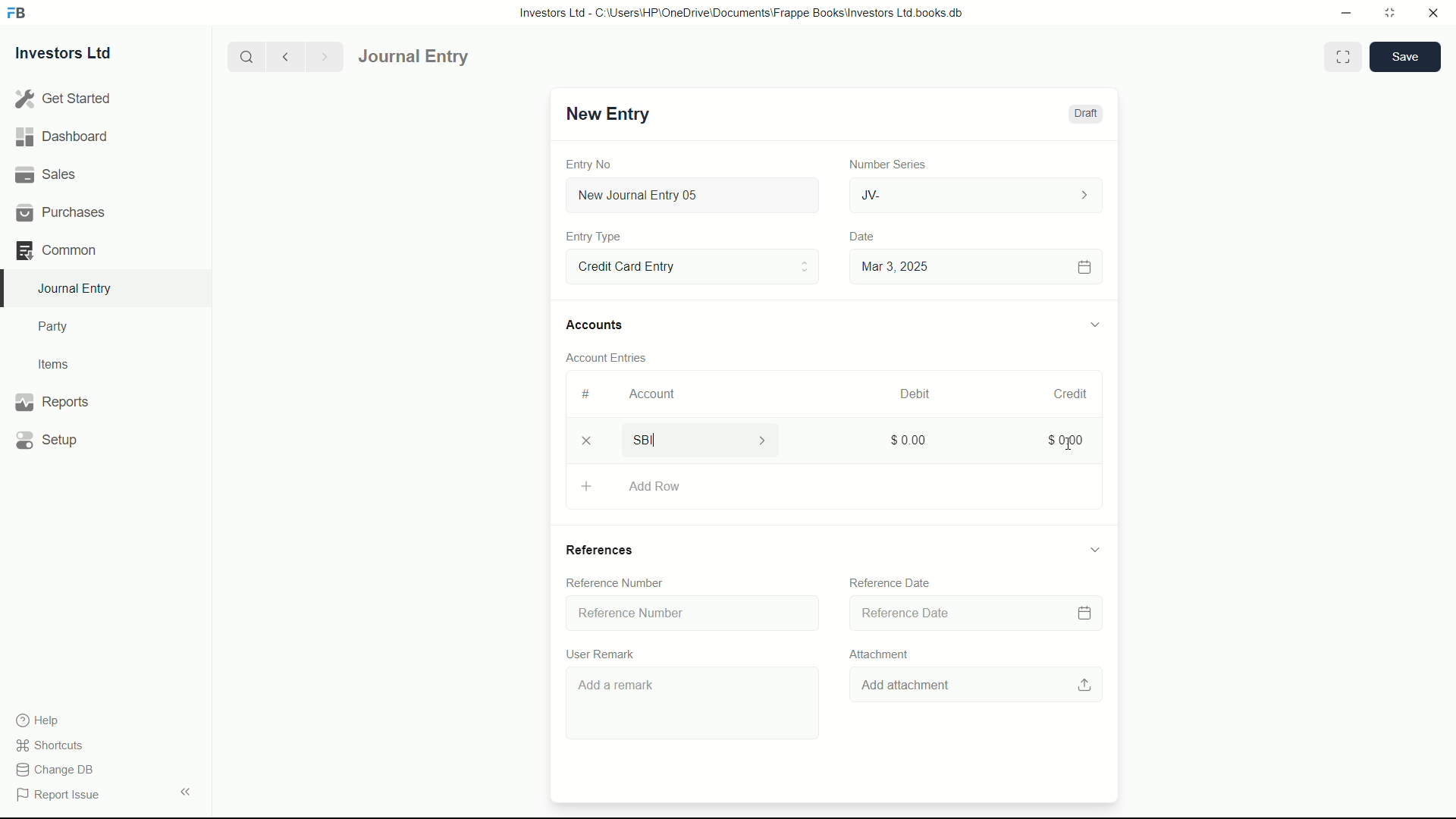 This screenshot has height=819, width=1456. I want to click on FrappeBooks logo, so click(17, 14).